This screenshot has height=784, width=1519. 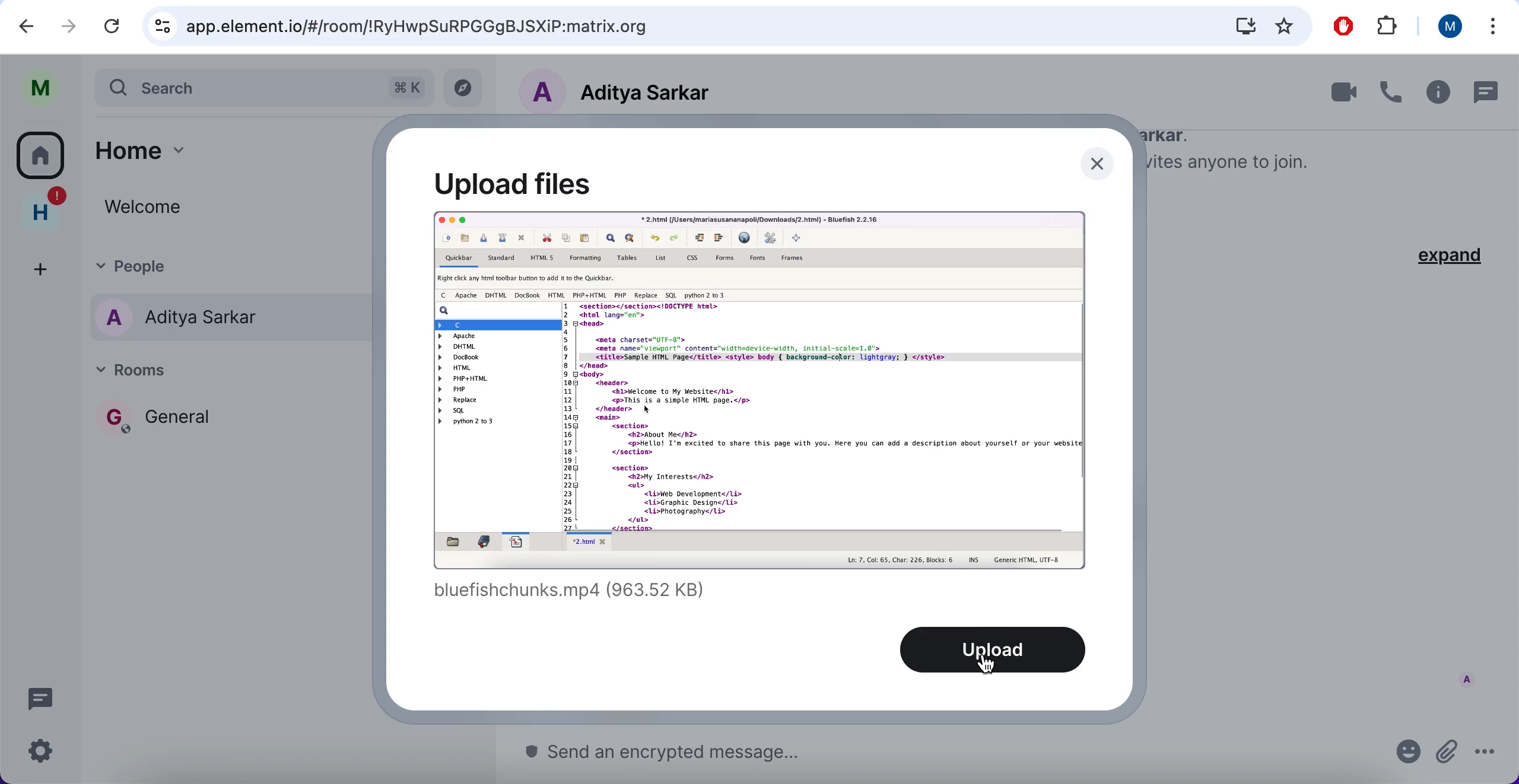 I want to click on close, so click(x=1096, y=165).